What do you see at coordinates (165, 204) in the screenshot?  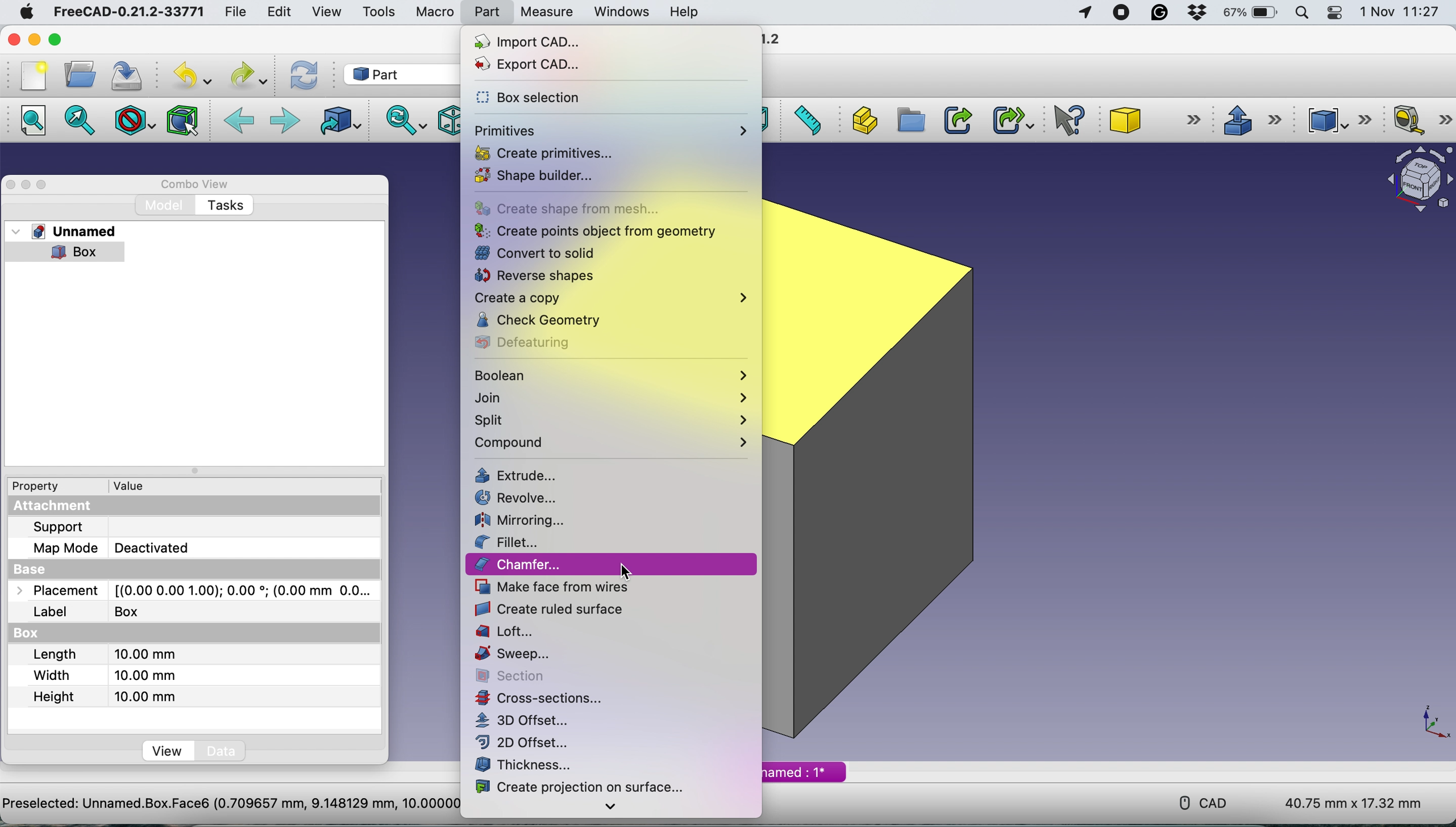 I see `model` at bounding box center [165, 204].